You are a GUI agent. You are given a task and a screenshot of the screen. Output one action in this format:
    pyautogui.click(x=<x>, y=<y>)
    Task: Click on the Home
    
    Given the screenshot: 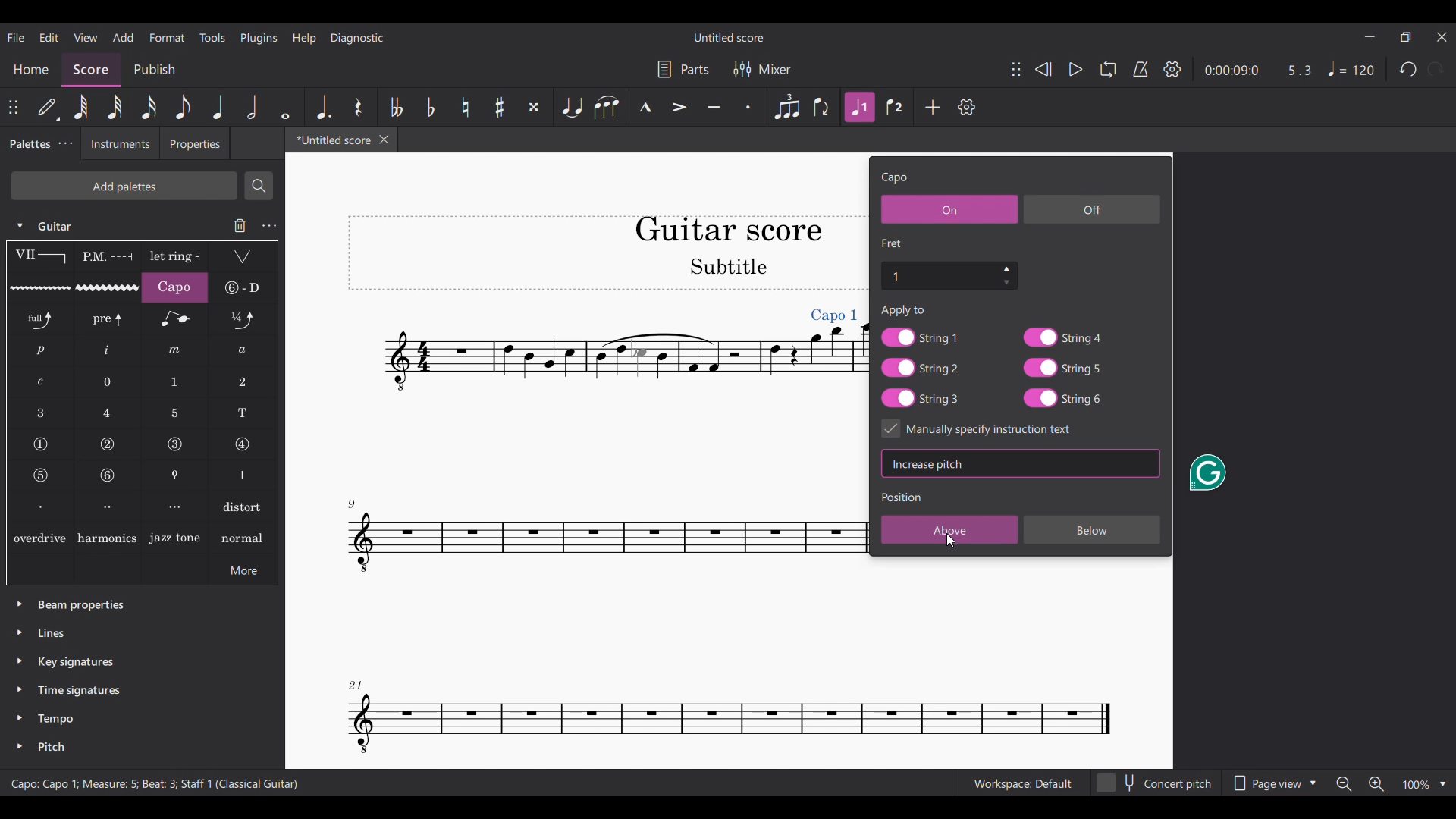 What is the action you would take?
    pyautogui.click(x=30, y=70)
    